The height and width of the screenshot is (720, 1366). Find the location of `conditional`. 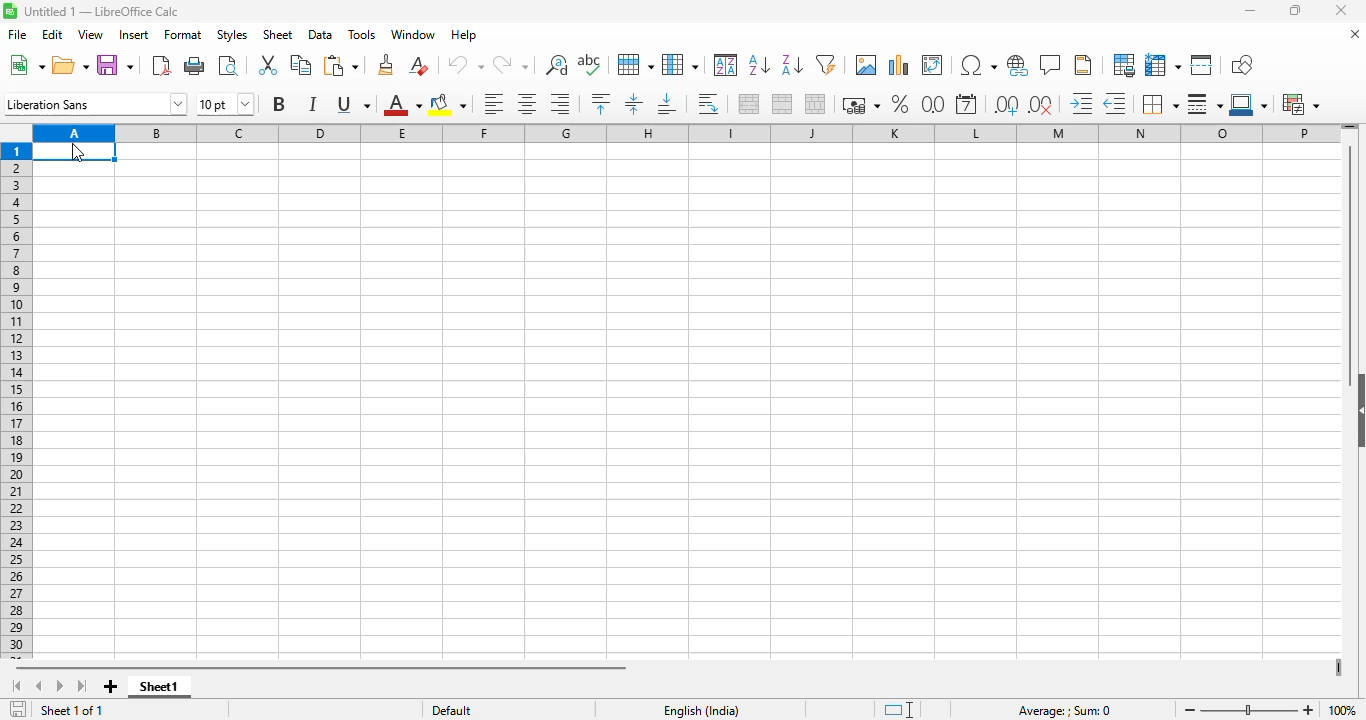

conditional is located at coordinates (1301, 104).